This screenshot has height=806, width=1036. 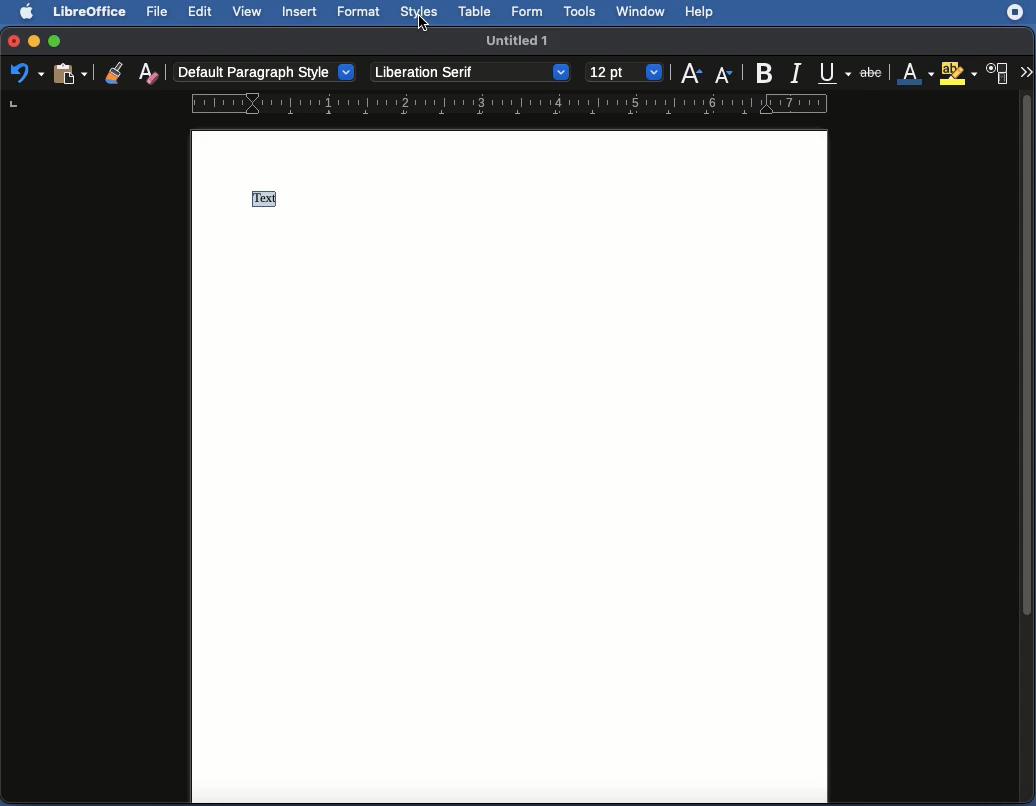 I want to click on Minimize, so click(x=34, y=42).